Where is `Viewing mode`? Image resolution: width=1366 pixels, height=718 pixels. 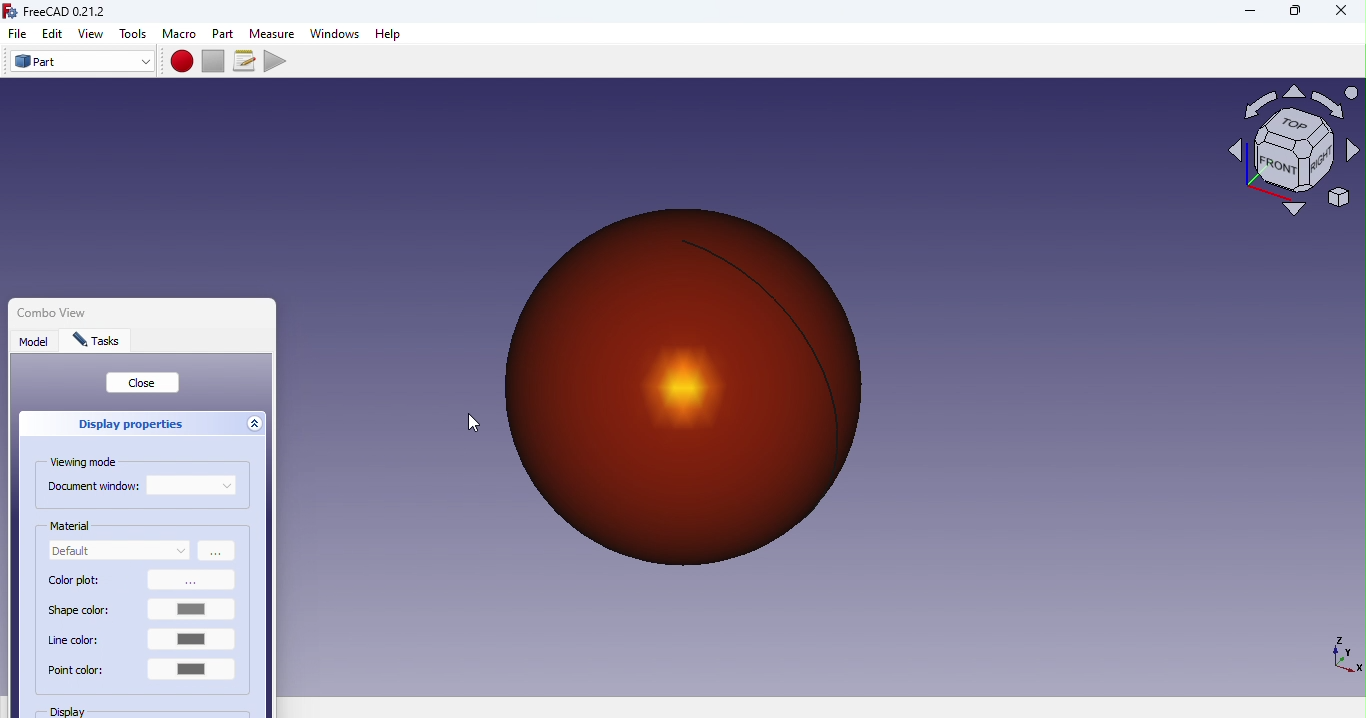 Viewing mode is located at coordinates (88, 463).